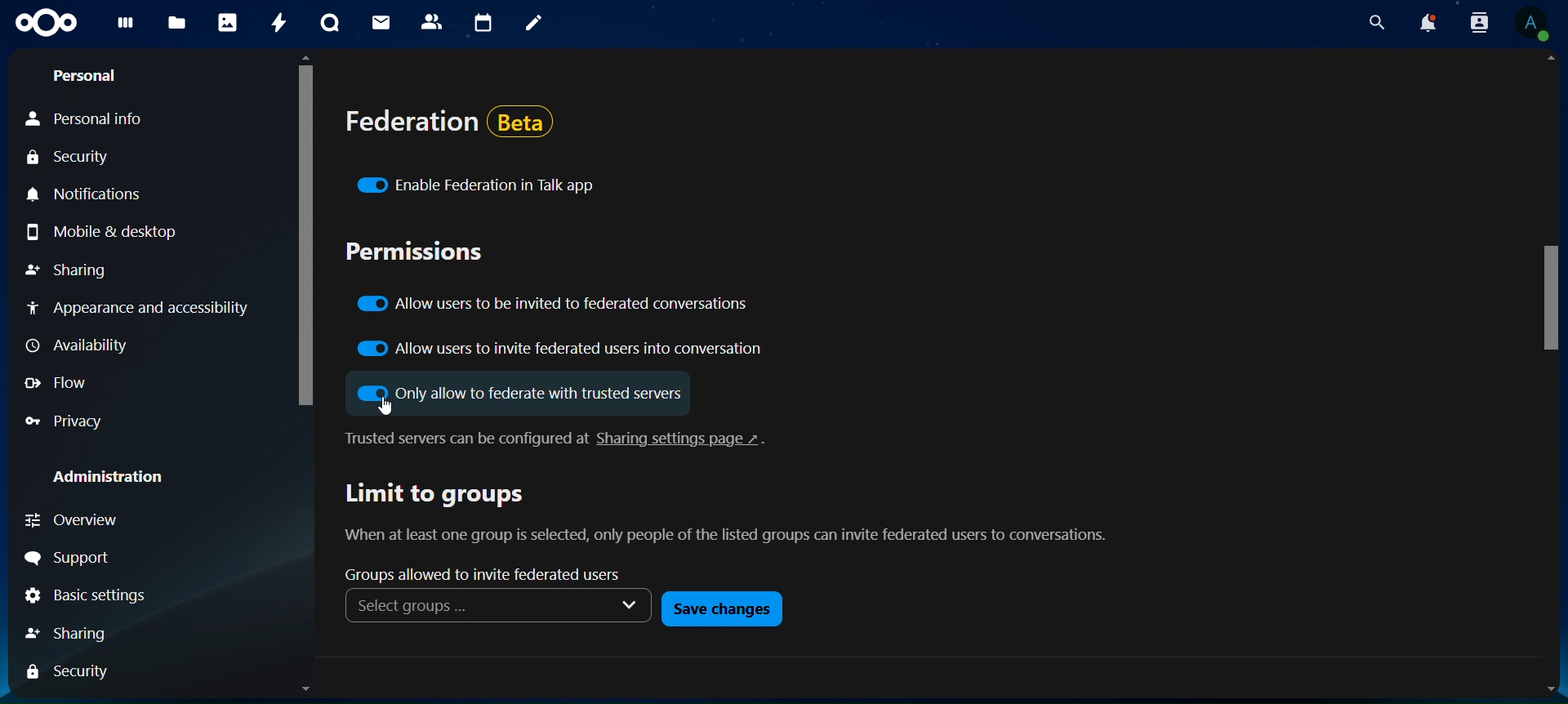  I want to click on , so click(376, 394).